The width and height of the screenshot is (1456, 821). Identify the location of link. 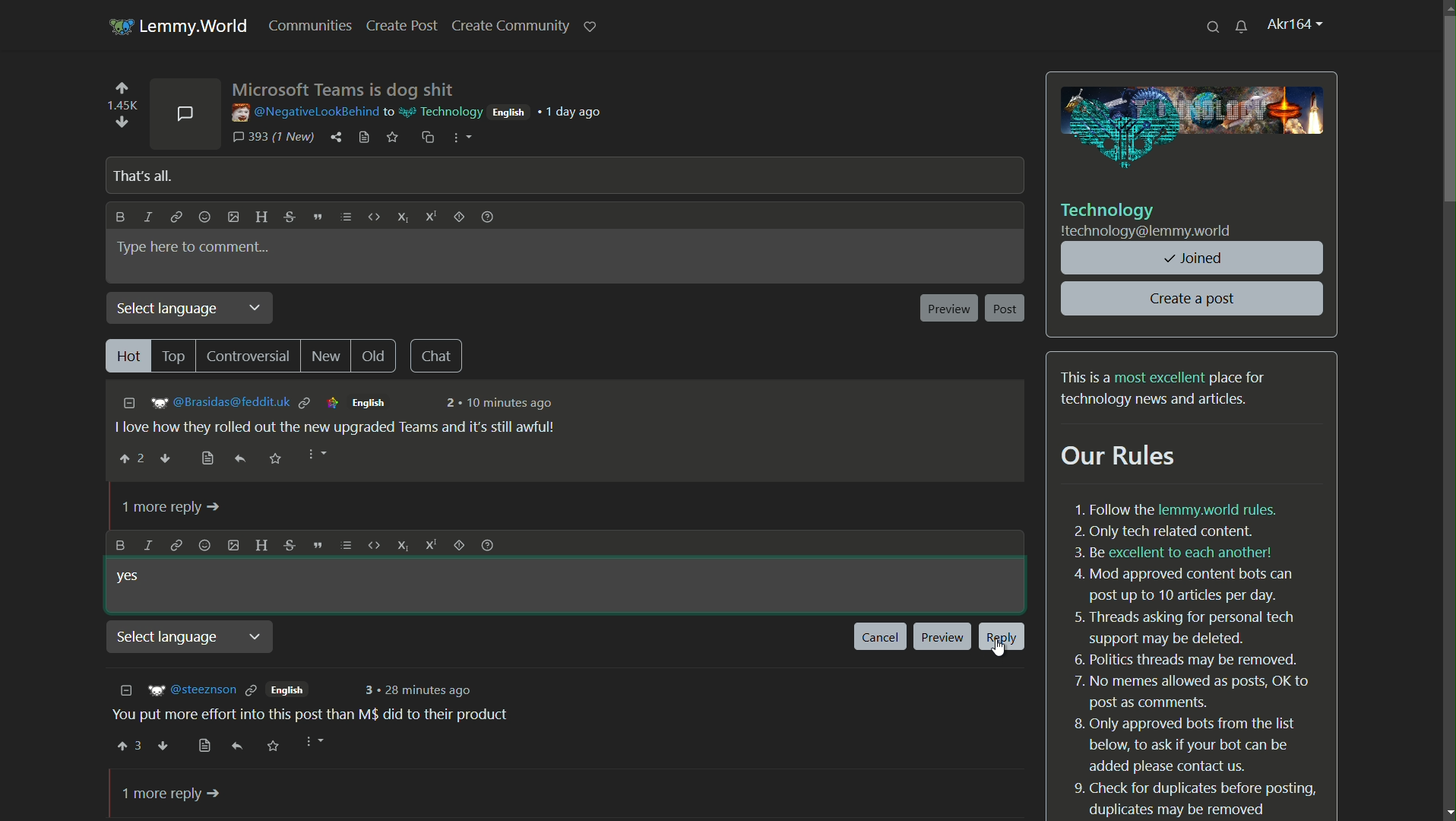
(176, 545).